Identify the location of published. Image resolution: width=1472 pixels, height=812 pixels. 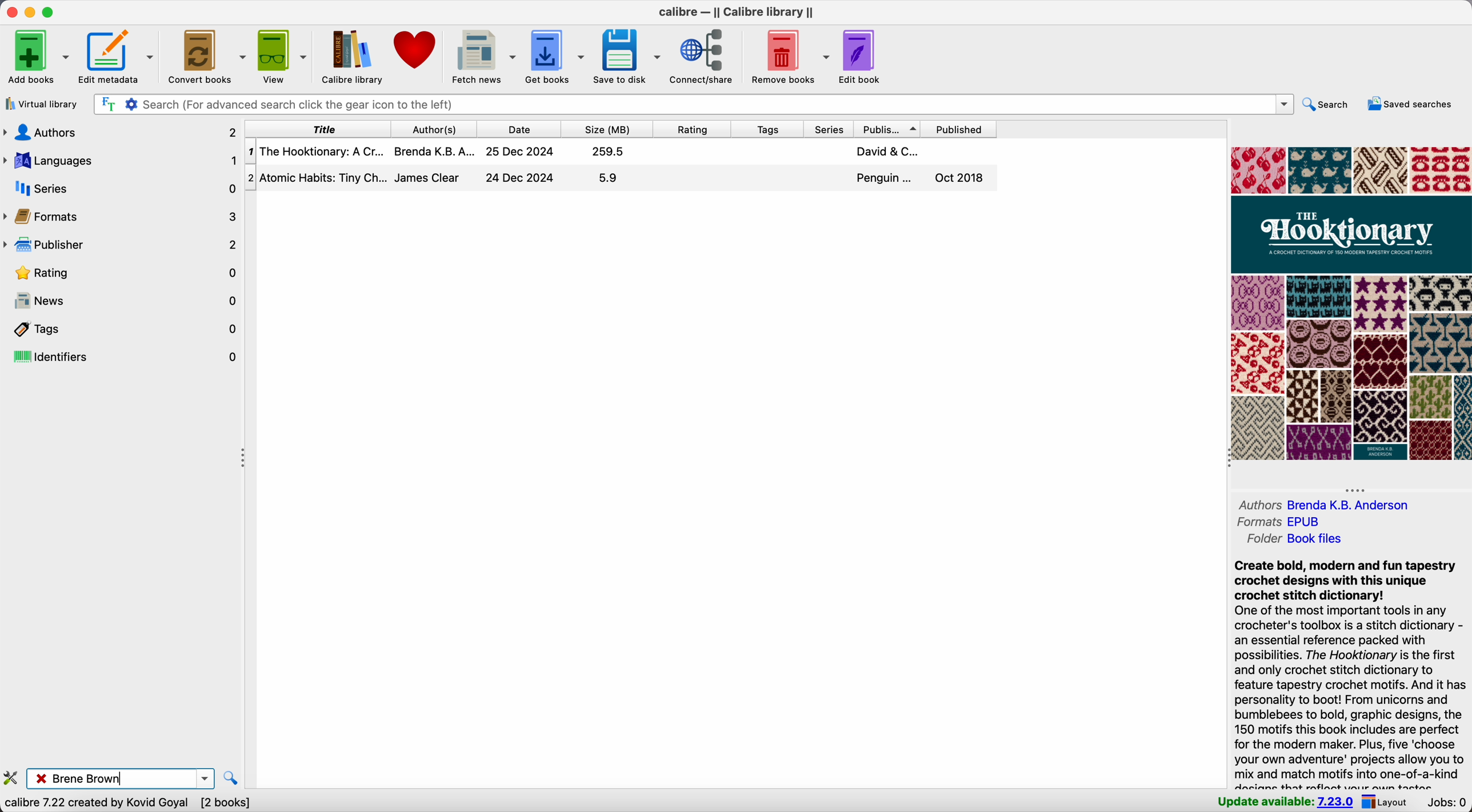
(961, 128).